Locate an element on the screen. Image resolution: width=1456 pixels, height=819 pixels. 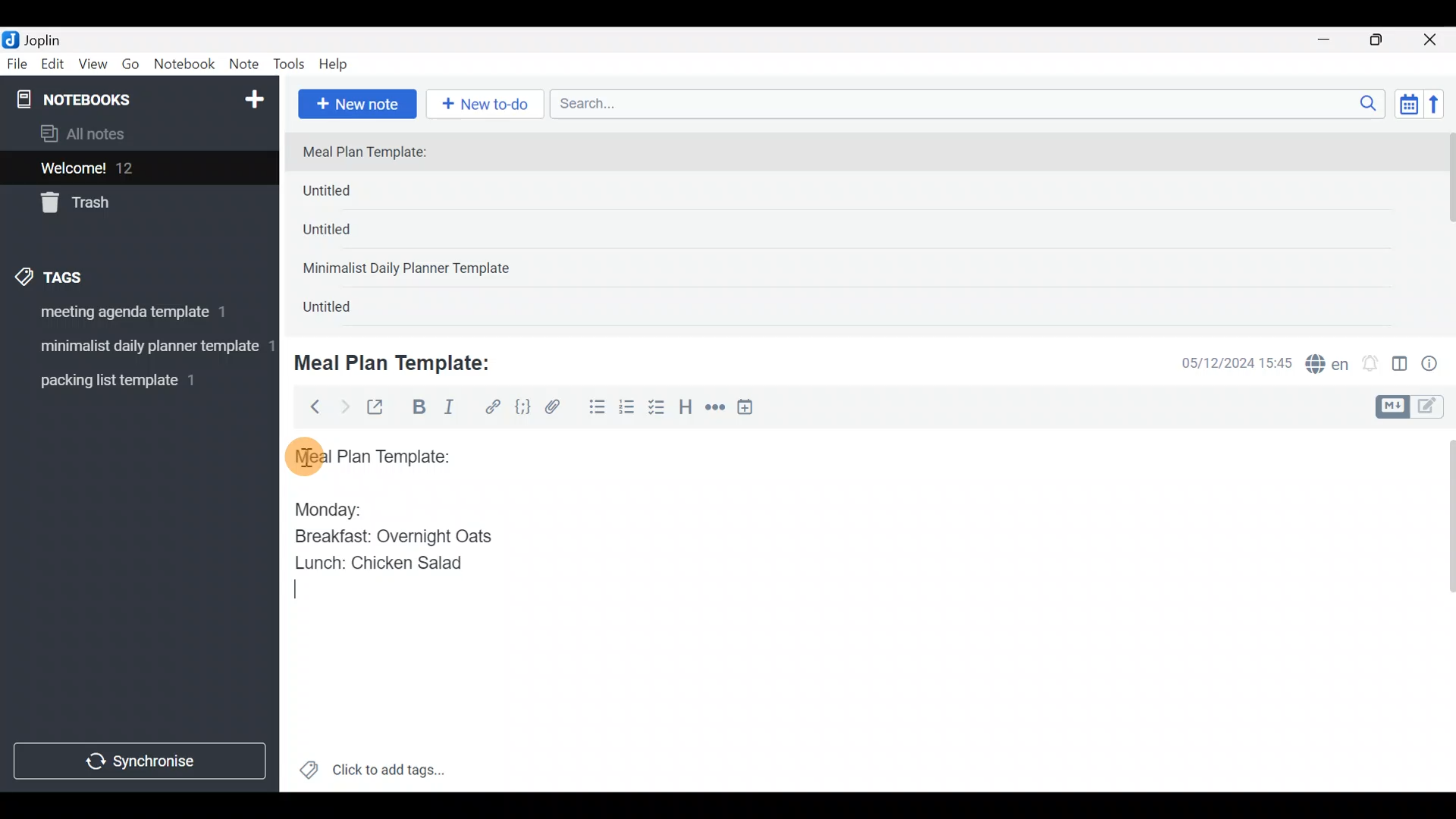
Back is located at coordinates (309, 406).